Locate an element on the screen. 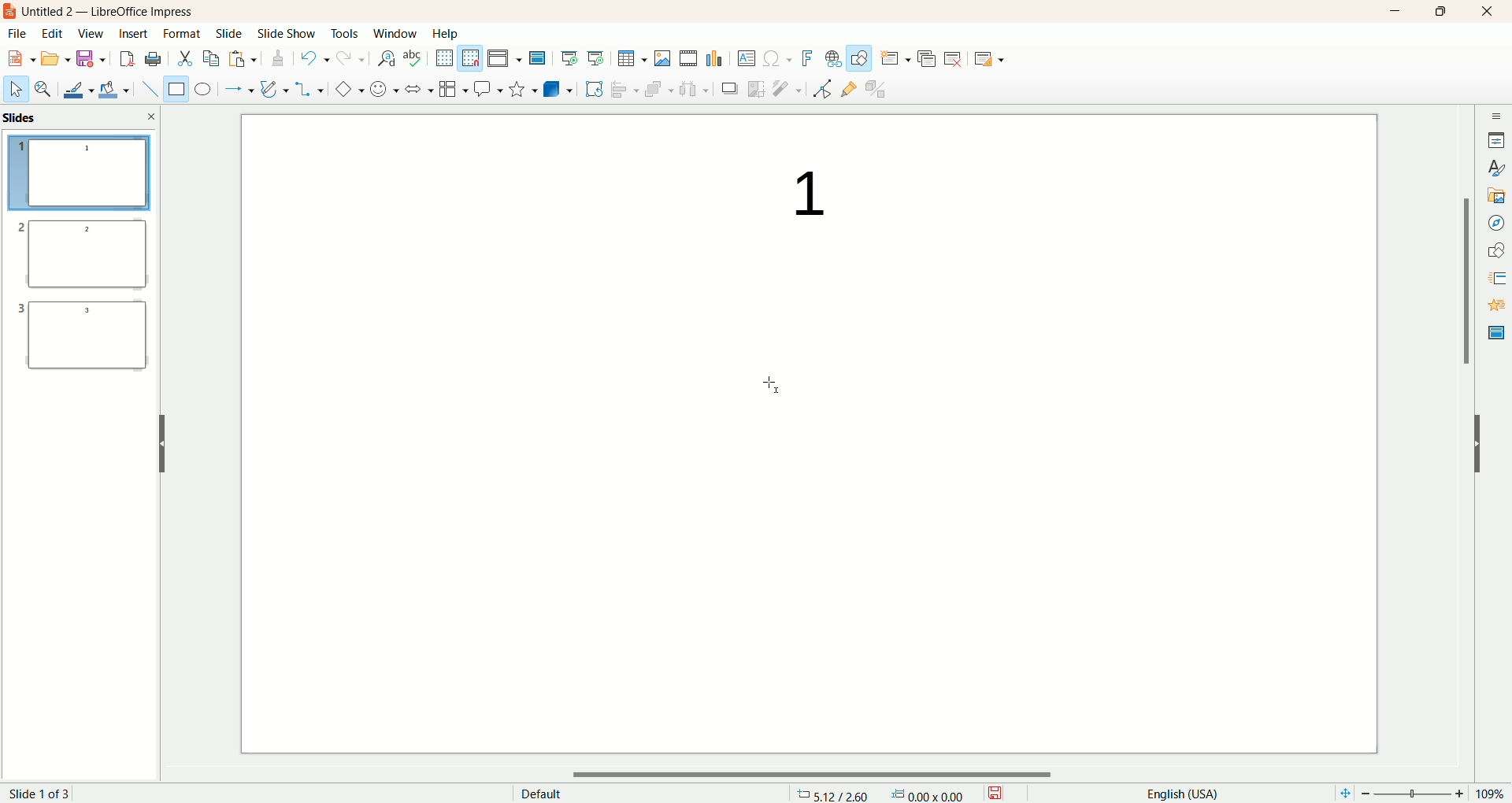  find and replace is located at coordinates (384, 60).